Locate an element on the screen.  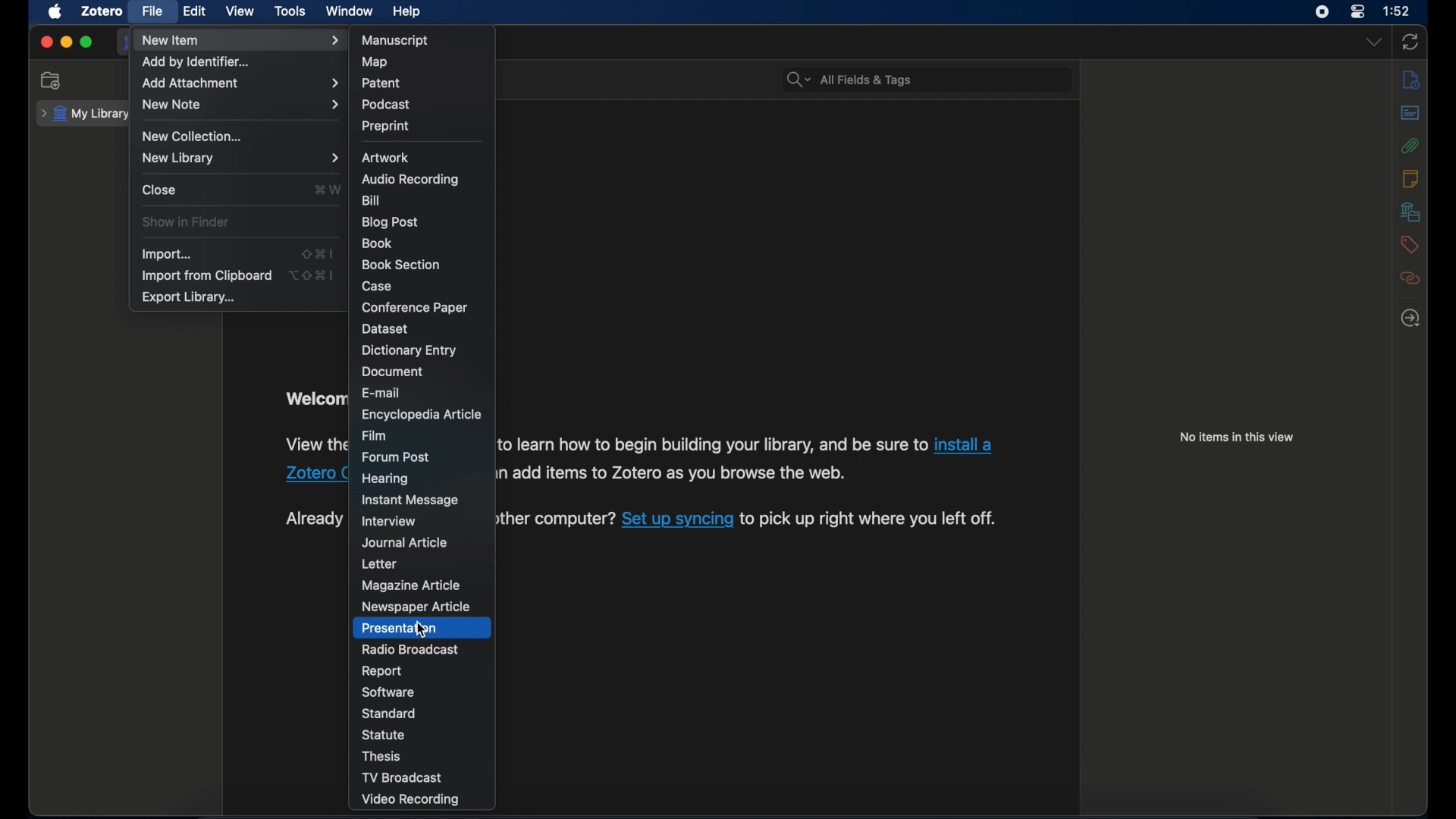
artwork is located at coordinates (386, 158).